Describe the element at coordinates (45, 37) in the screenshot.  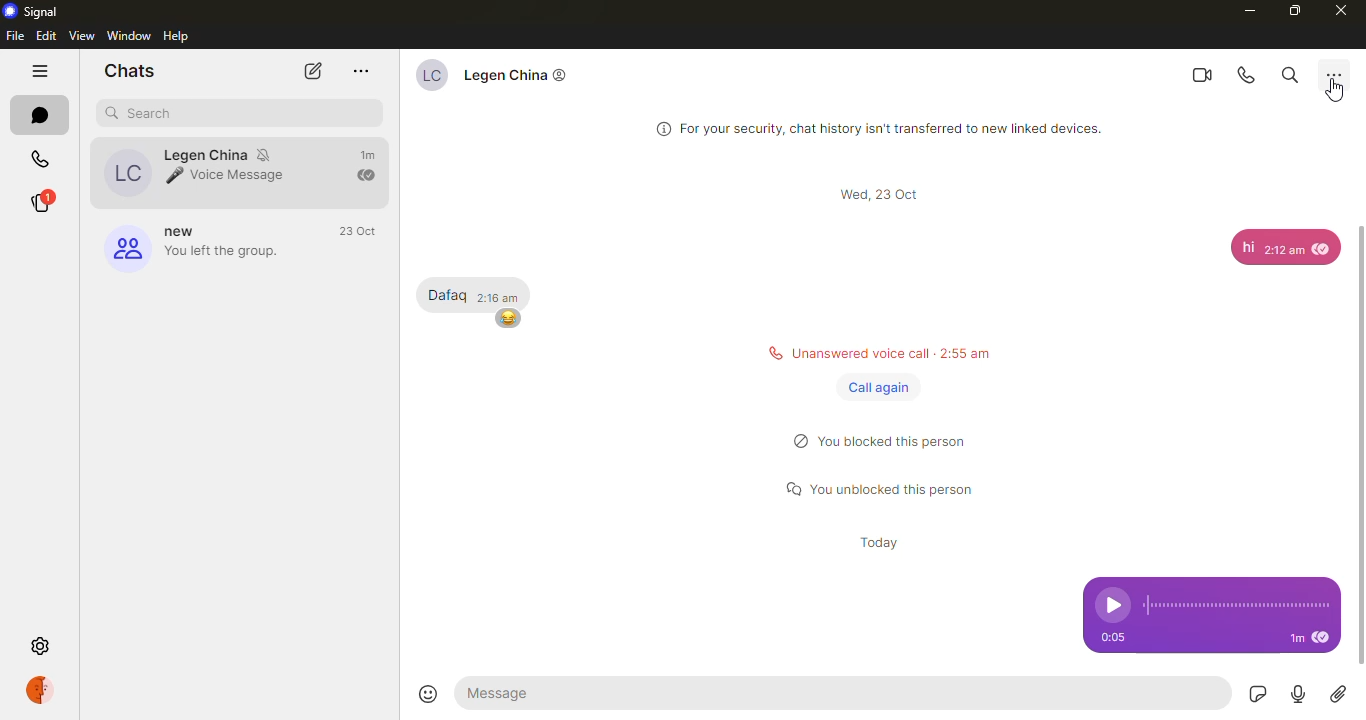
I see `edit` at that location.